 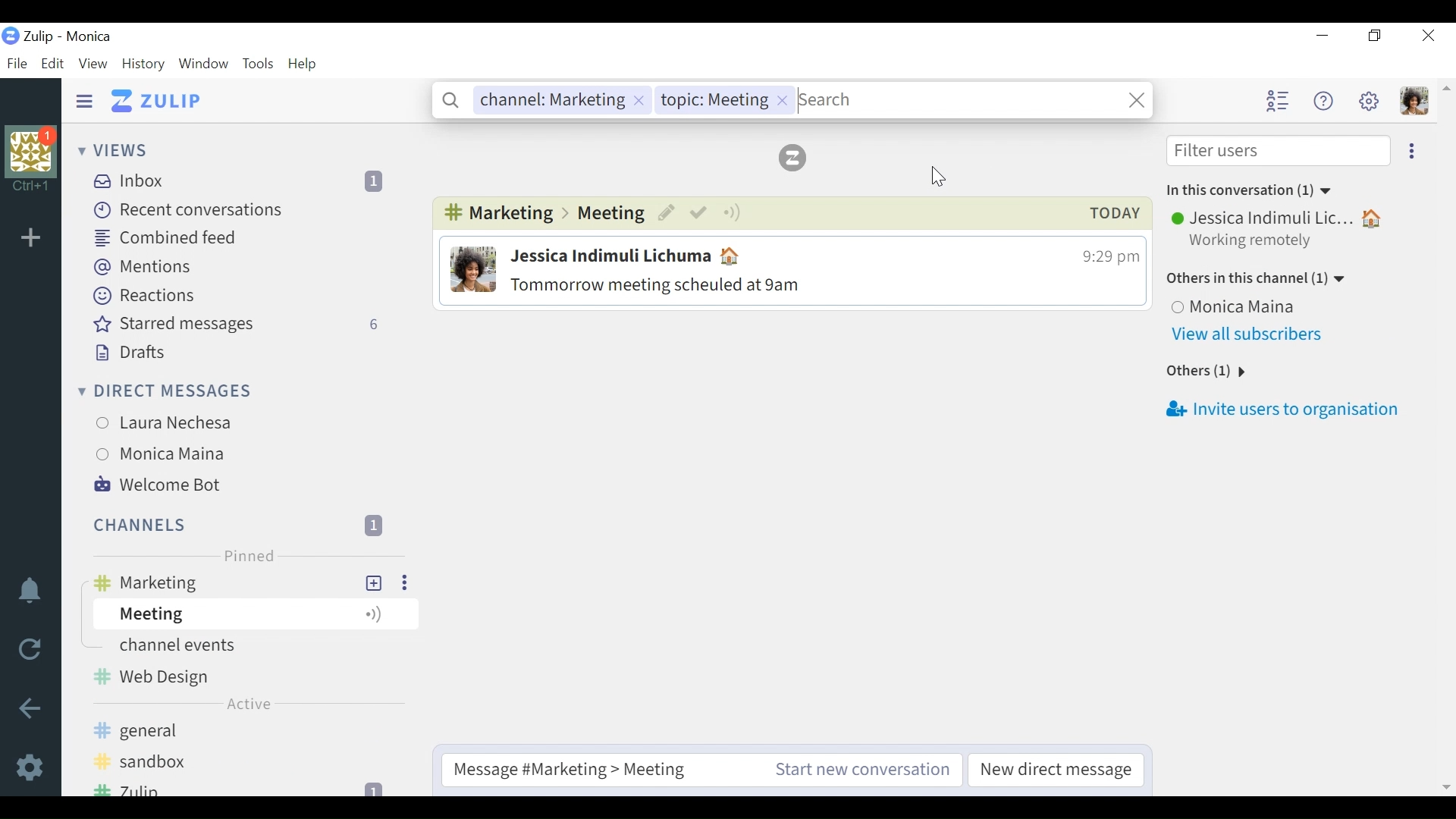 I want to click on Meeting, so click(x=220, y=615).